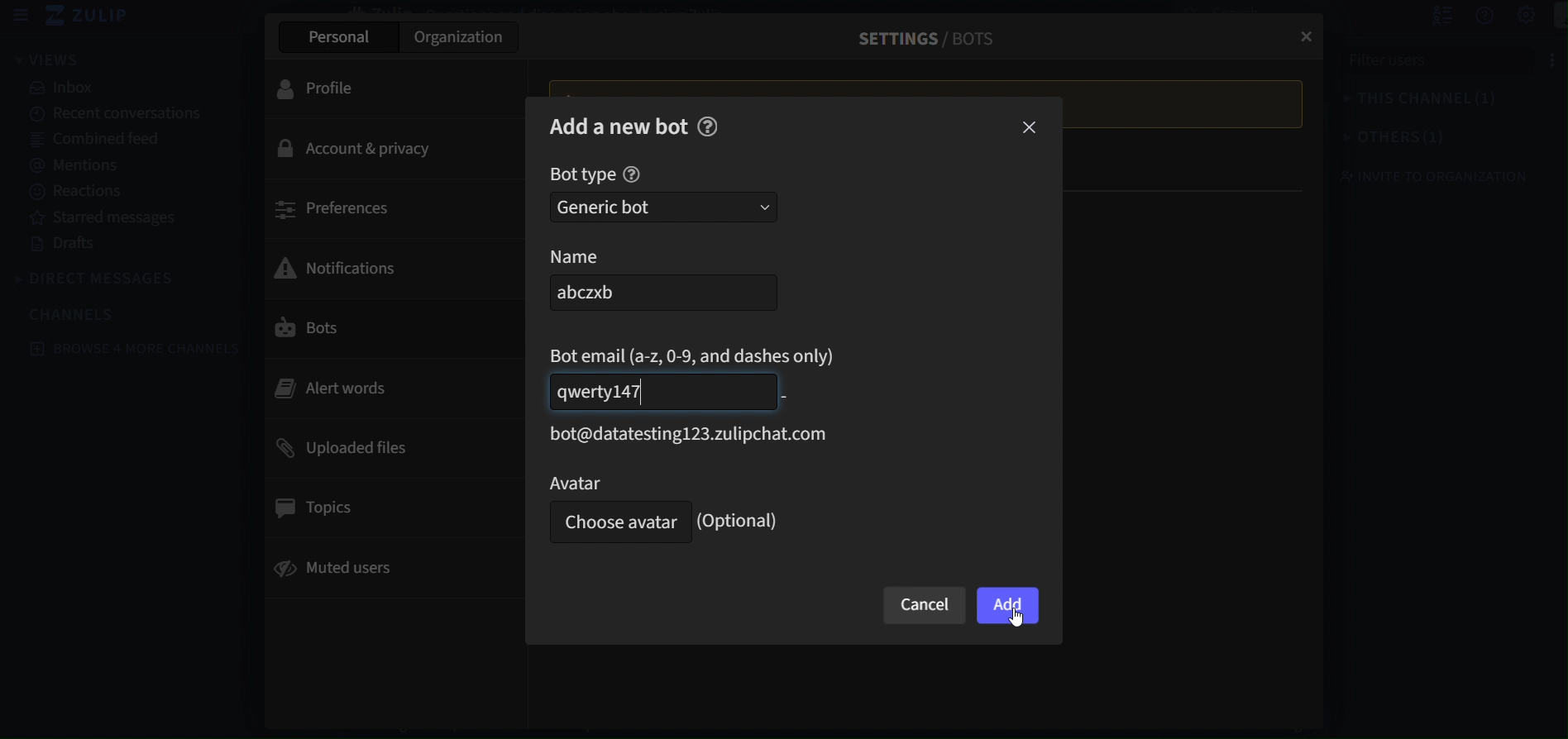 Image resolution: width=1568 pixels, height=739 pixels. I want to click on zulip, so click(93, 17).